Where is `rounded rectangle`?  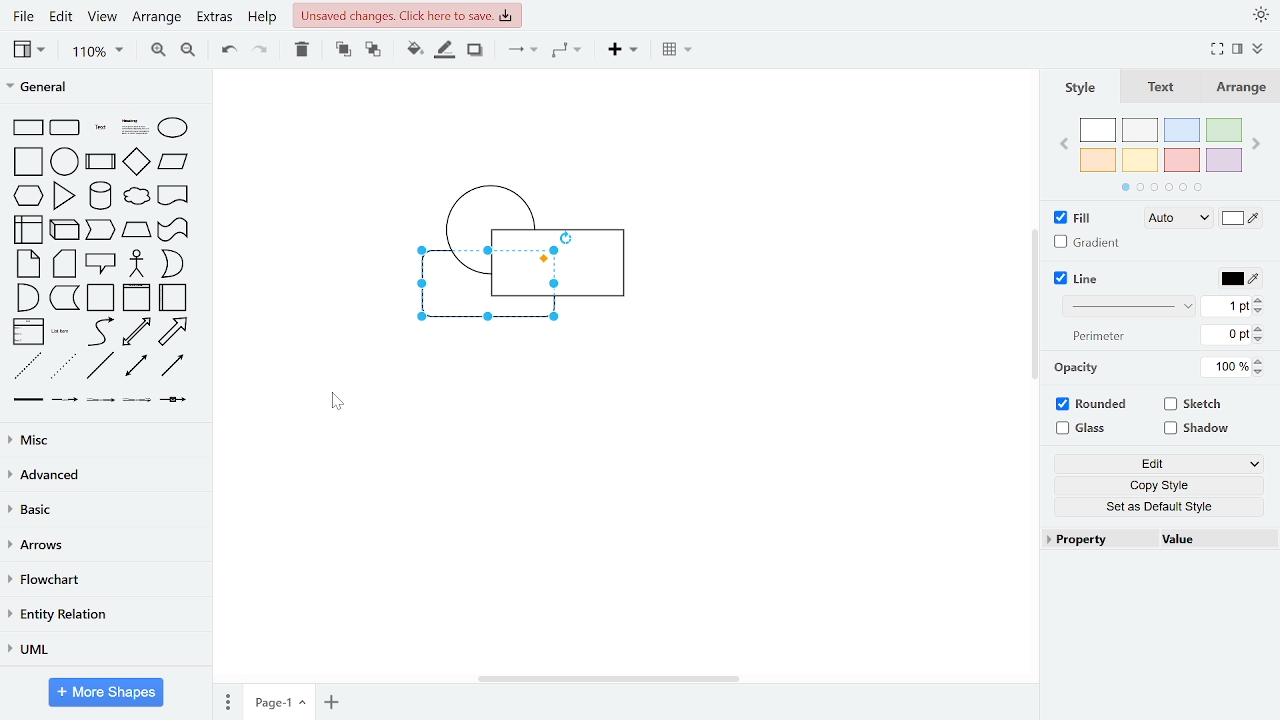 rounded rectangle is located at coordinates (65, 128).